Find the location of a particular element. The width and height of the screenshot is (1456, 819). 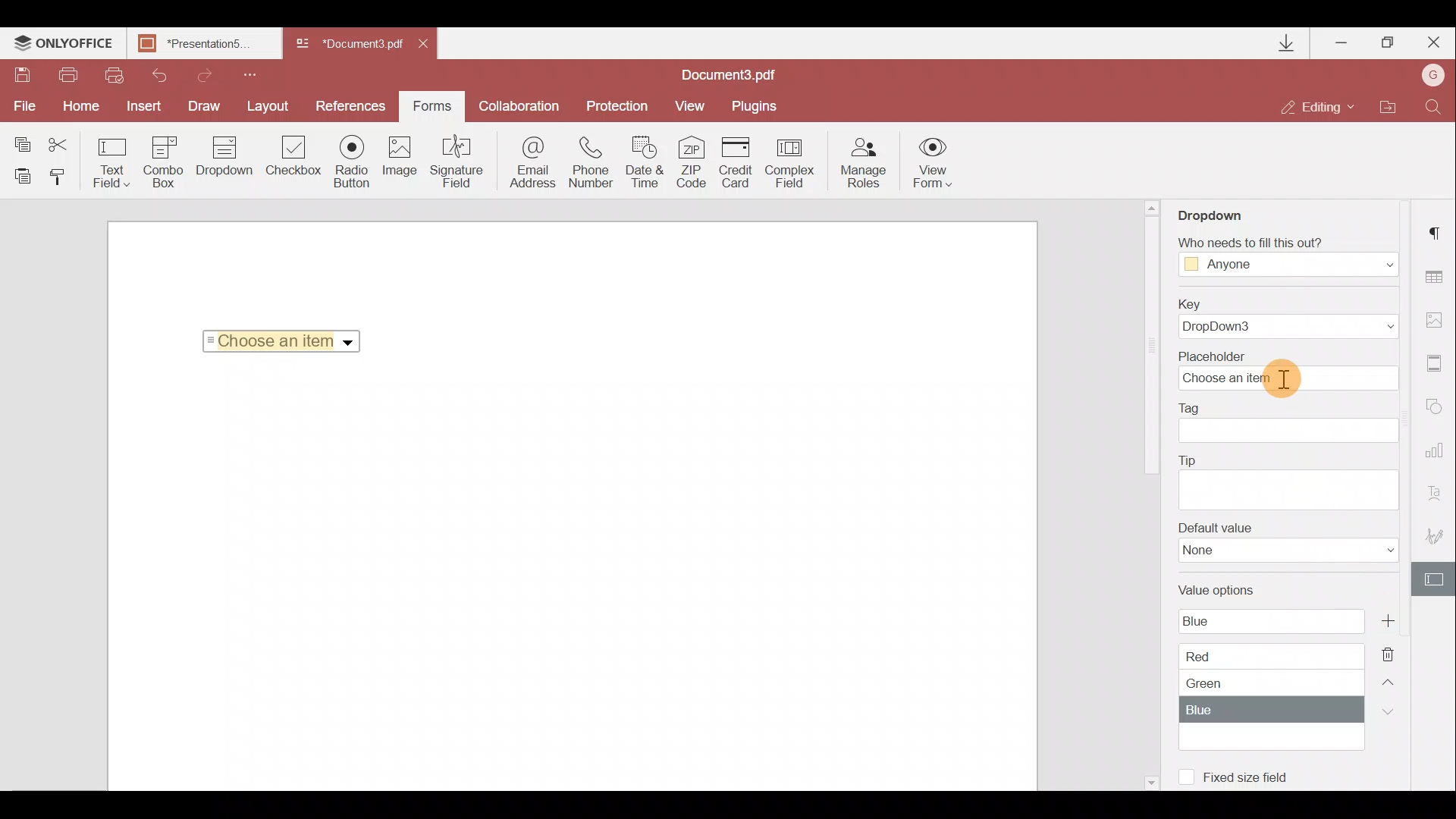

Remove is located at coordinates (1392, 650).